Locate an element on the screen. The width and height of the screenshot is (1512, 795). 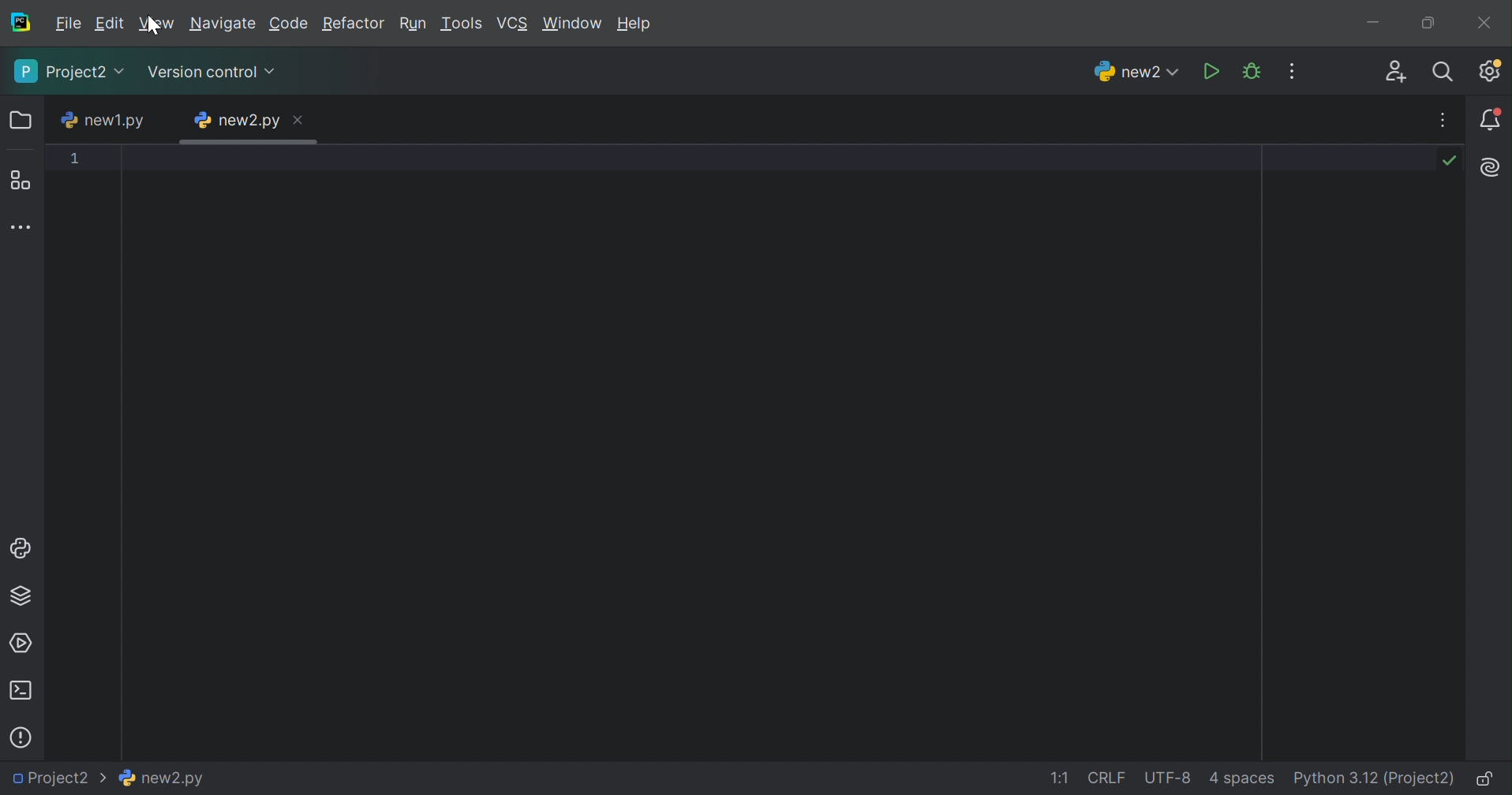
UTF-8 is located at coordinates (1167, 777).